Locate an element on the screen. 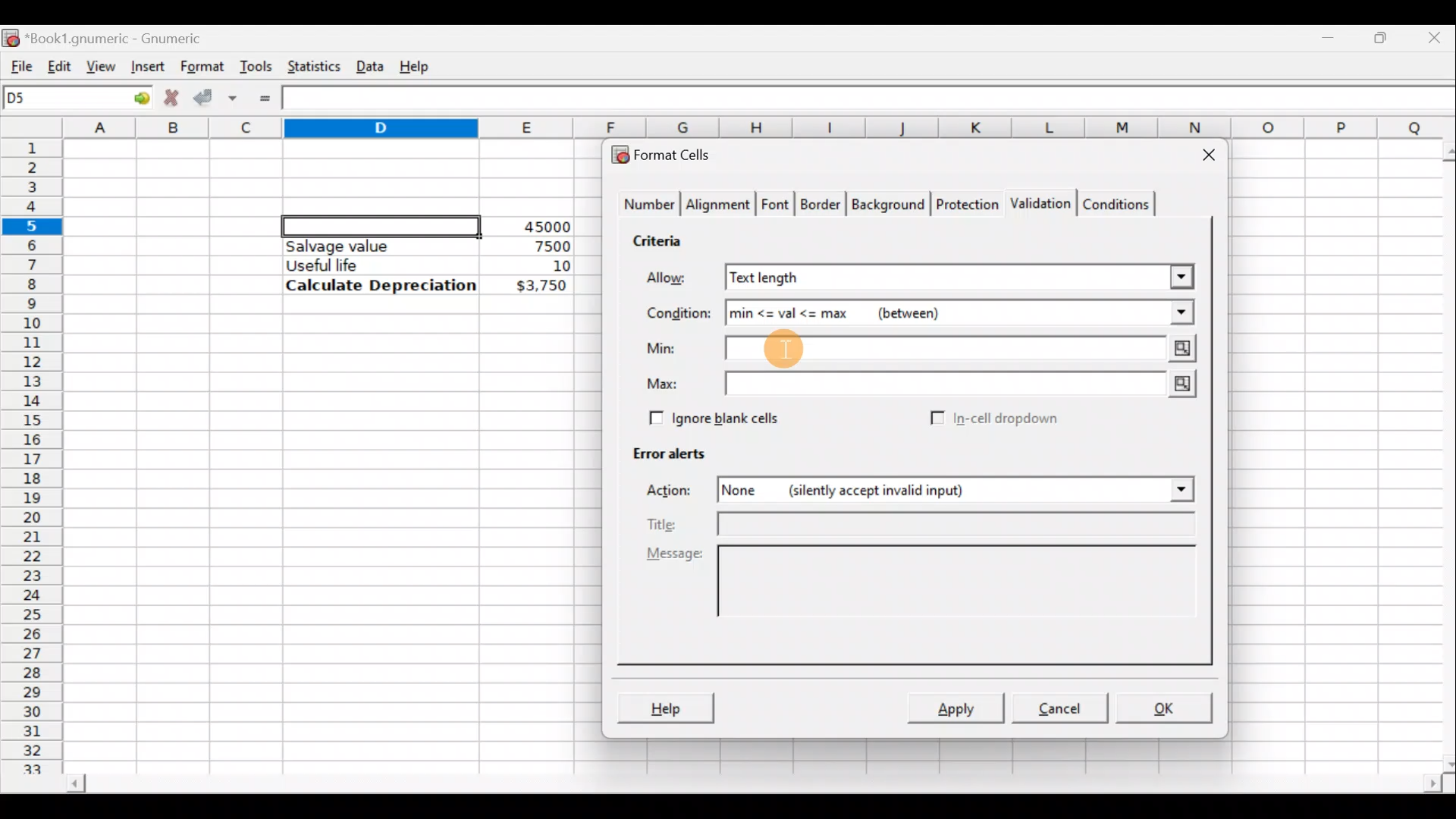 This screenshot has width=1456, height=819. Scroll bar is located at coordinates (752, 786).